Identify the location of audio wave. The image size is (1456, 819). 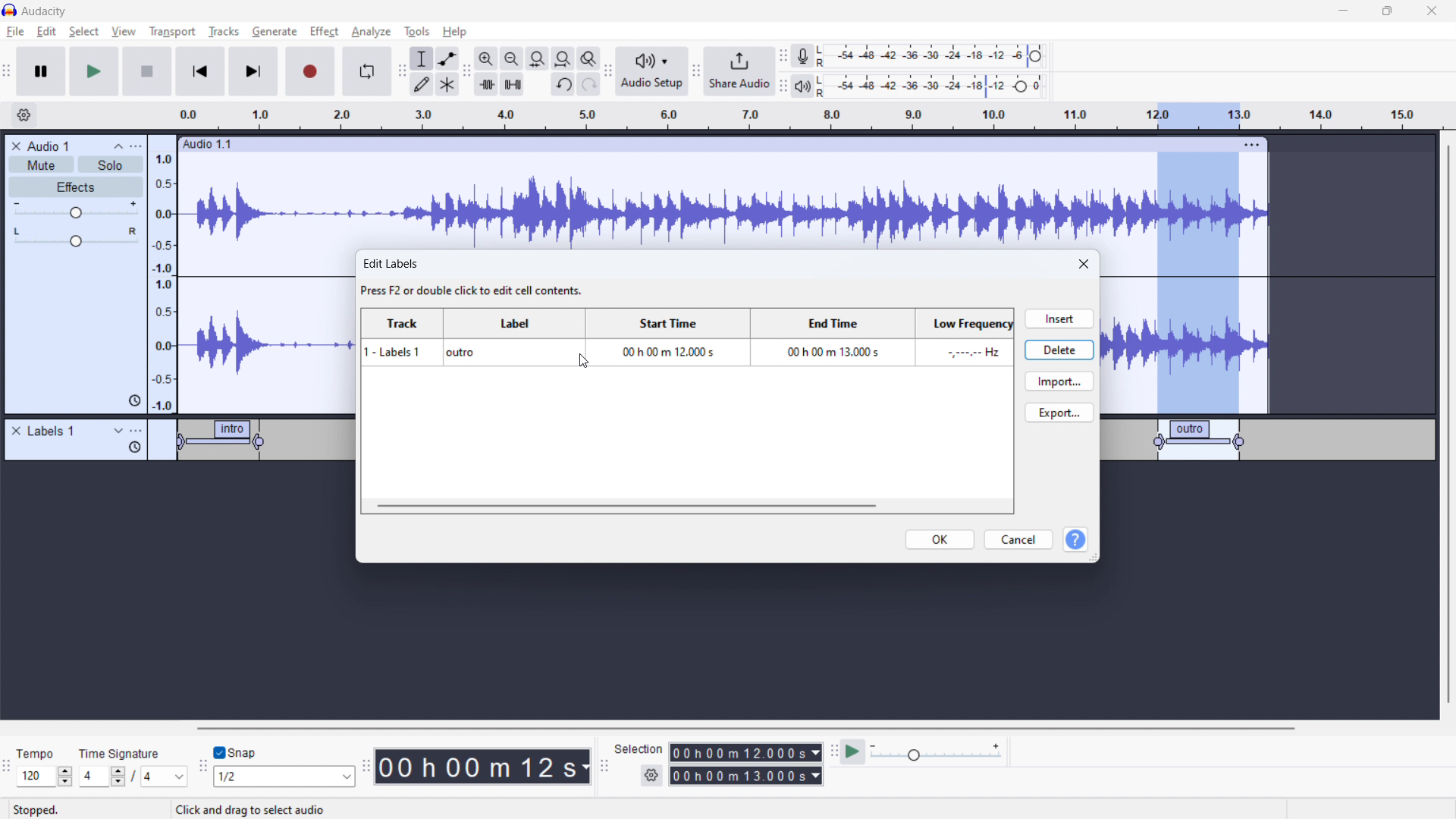
(723, 202).